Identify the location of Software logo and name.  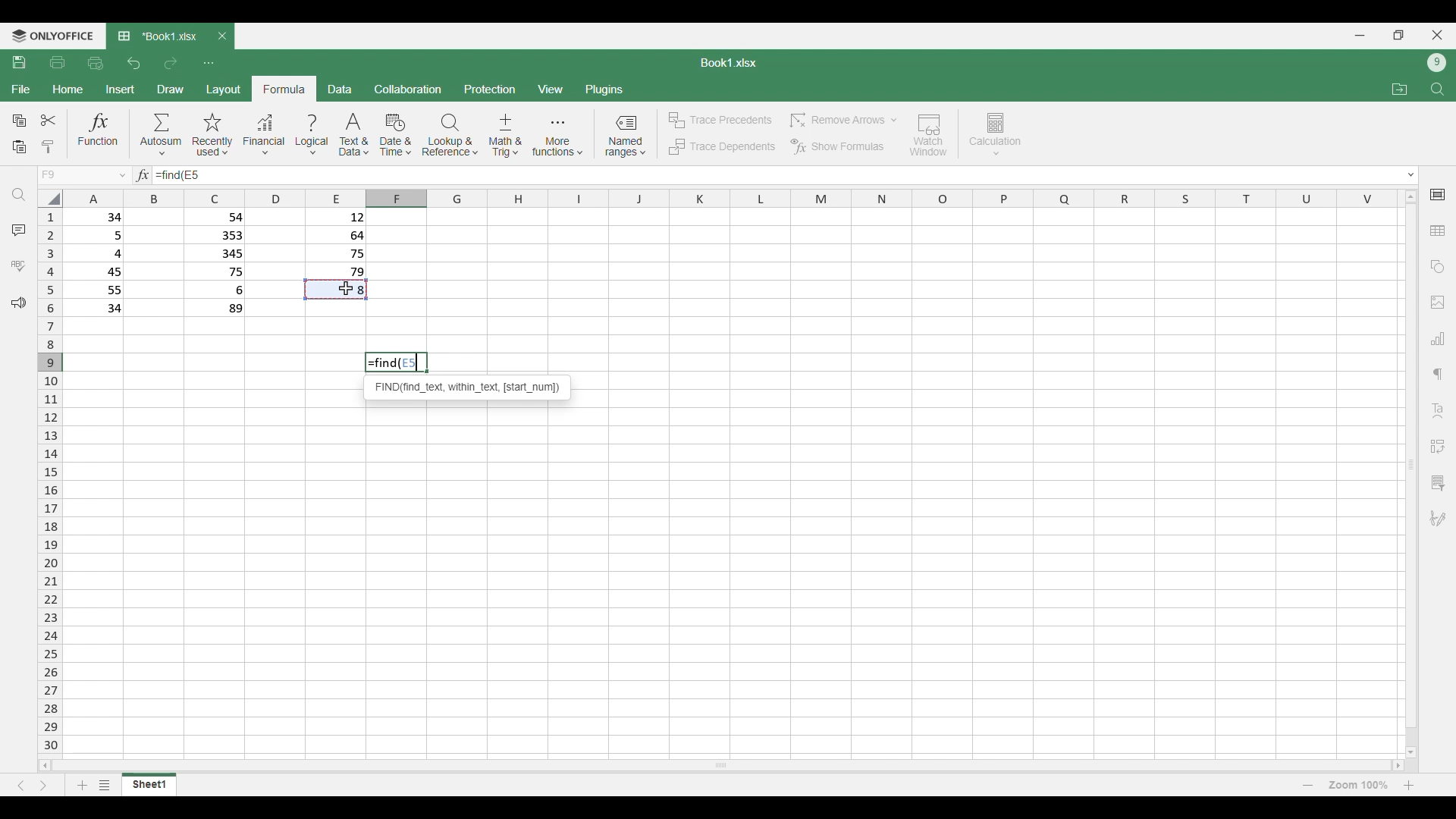
(52, 36).